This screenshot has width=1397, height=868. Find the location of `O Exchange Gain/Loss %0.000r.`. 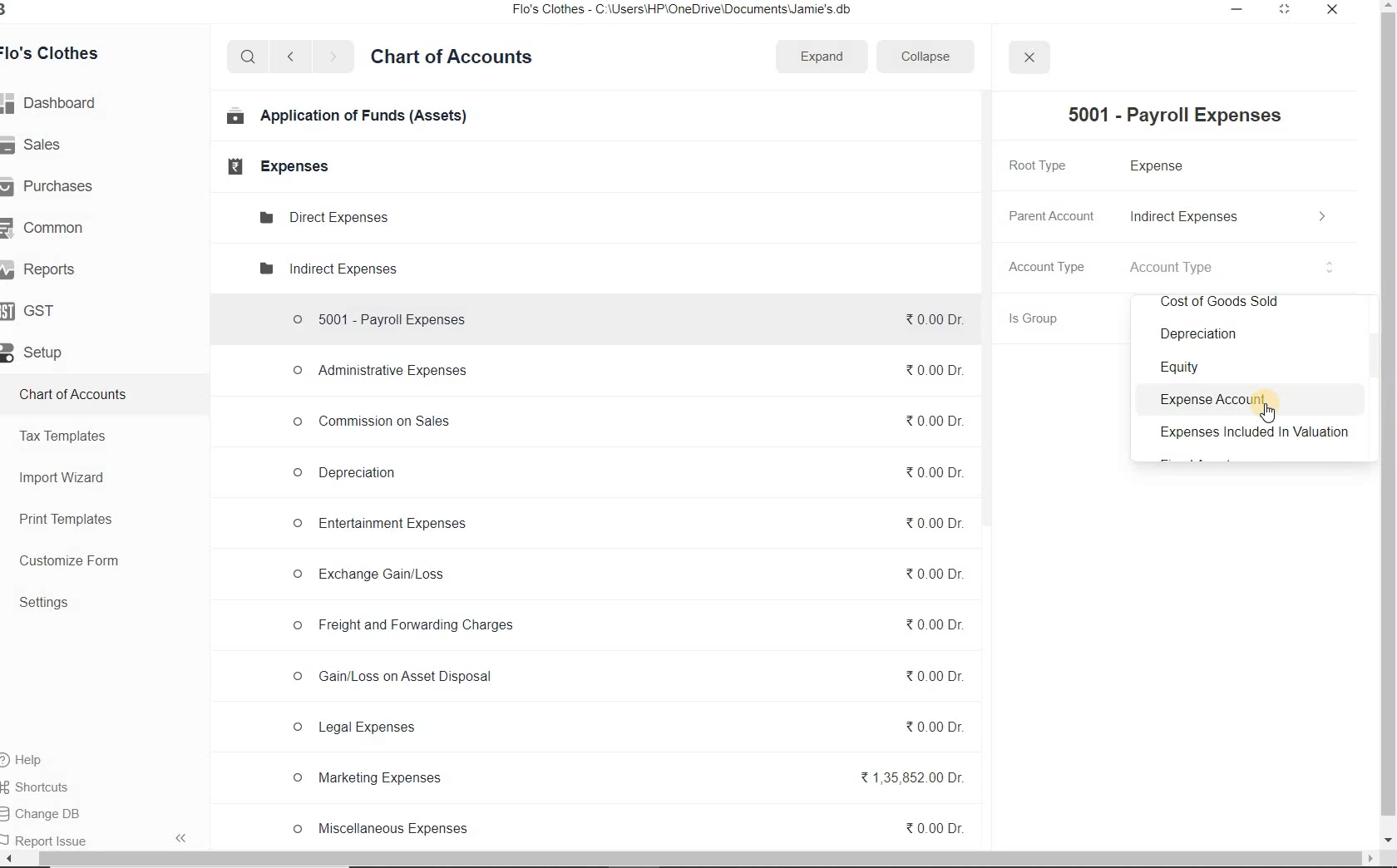

O Exchange Gain/Loss %0.000r. is located at coordinates (627, 574).